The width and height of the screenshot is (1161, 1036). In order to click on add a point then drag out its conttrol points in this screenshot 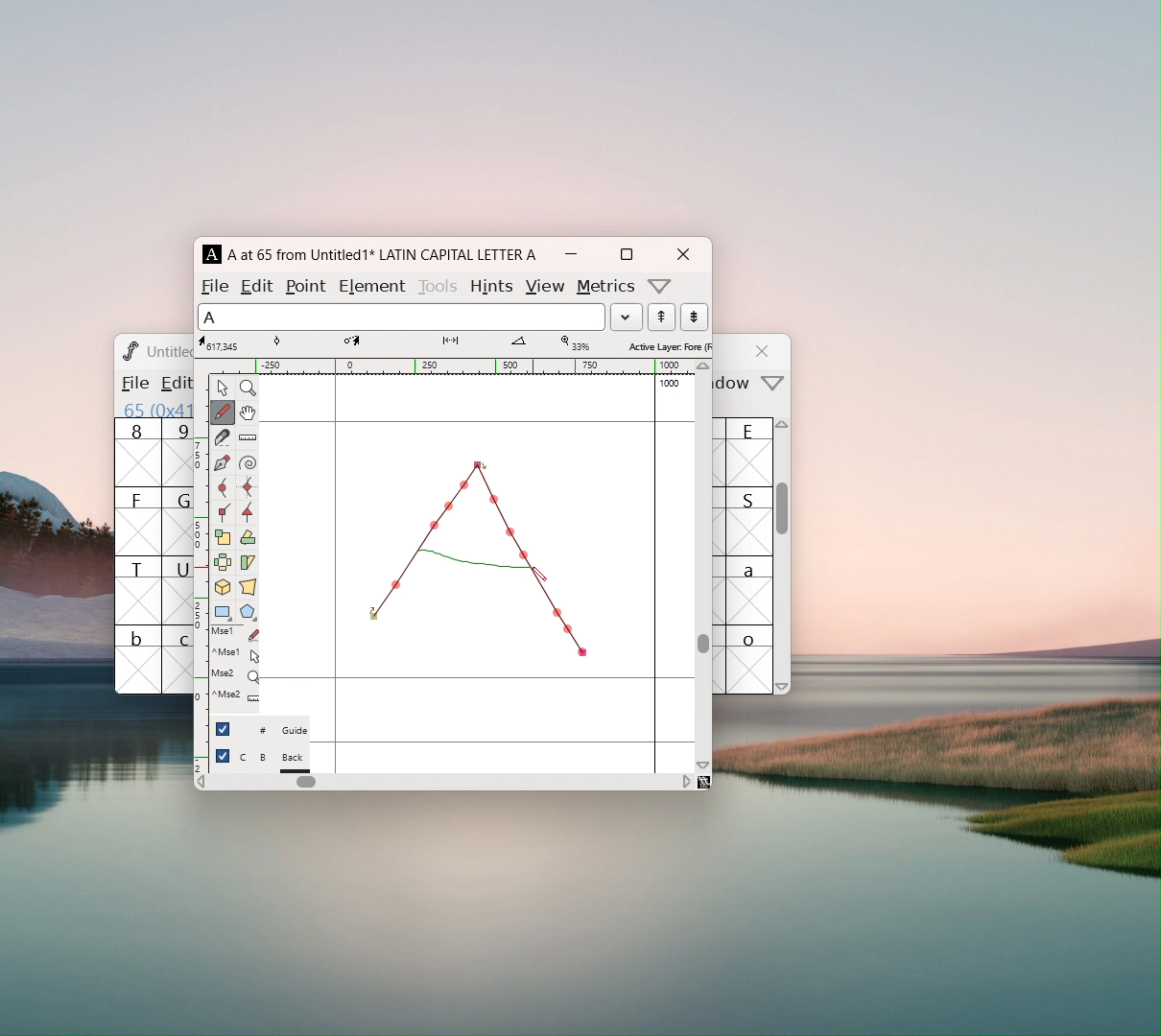, I will do `click(222, 464)`.